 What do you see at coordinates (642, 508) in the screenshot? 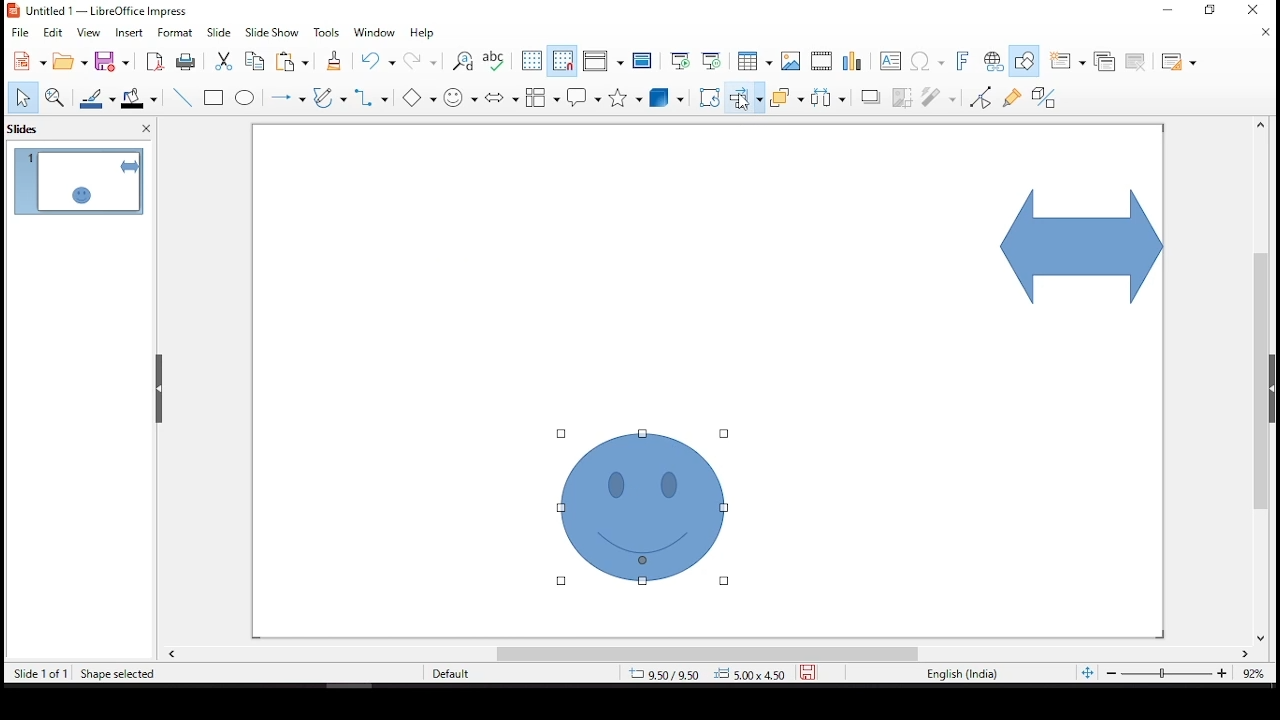
I see `shape (selected)` at bounding box center [642, 508].